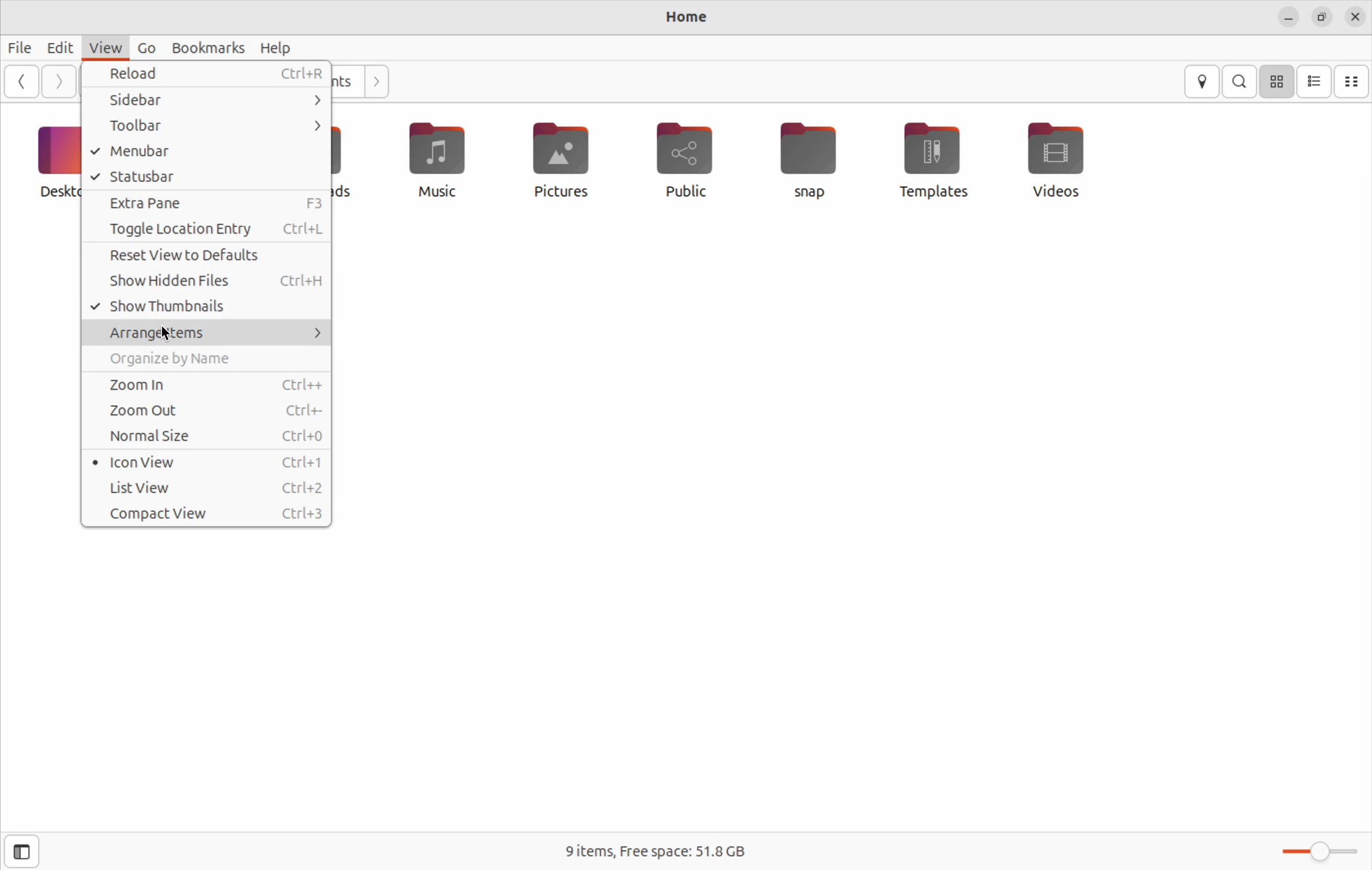 This screenshot has width=1372, height=870. Describe the element at coordinates (209, 513) in the screenshot. I see `compact view` at that location.